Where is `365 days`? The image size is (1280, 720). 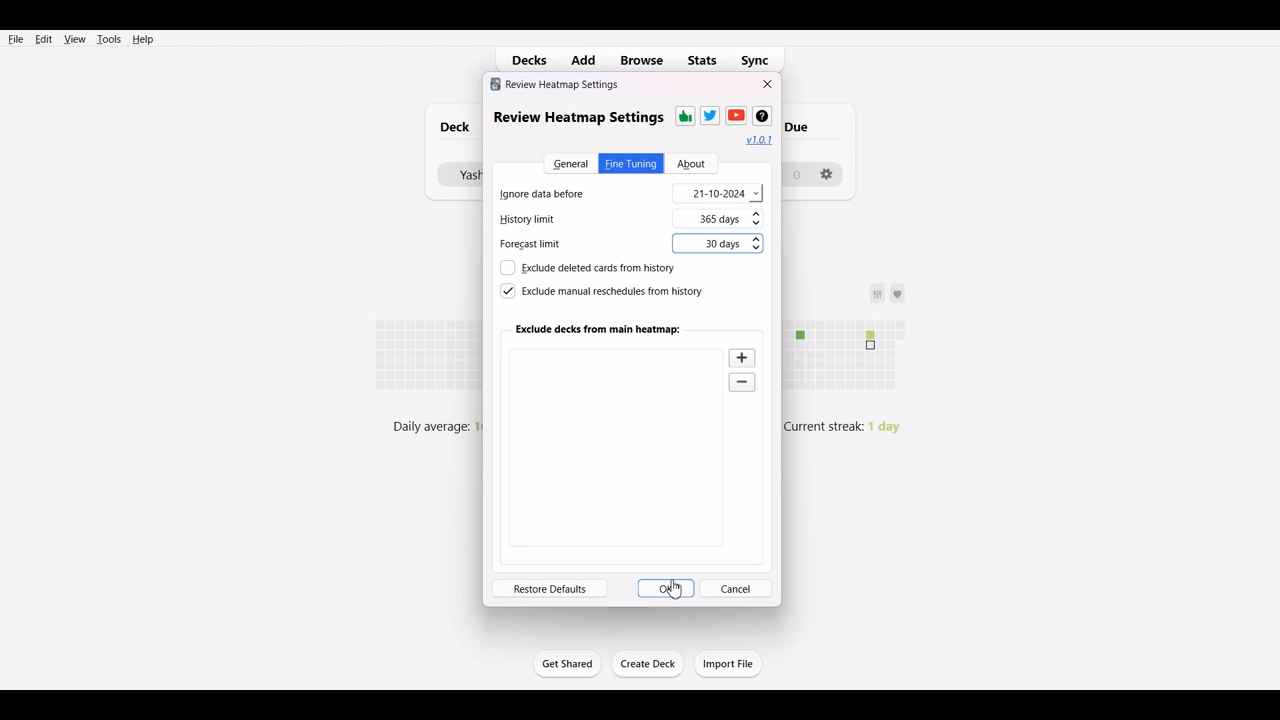 365 days is located at coordinates (733, 219).